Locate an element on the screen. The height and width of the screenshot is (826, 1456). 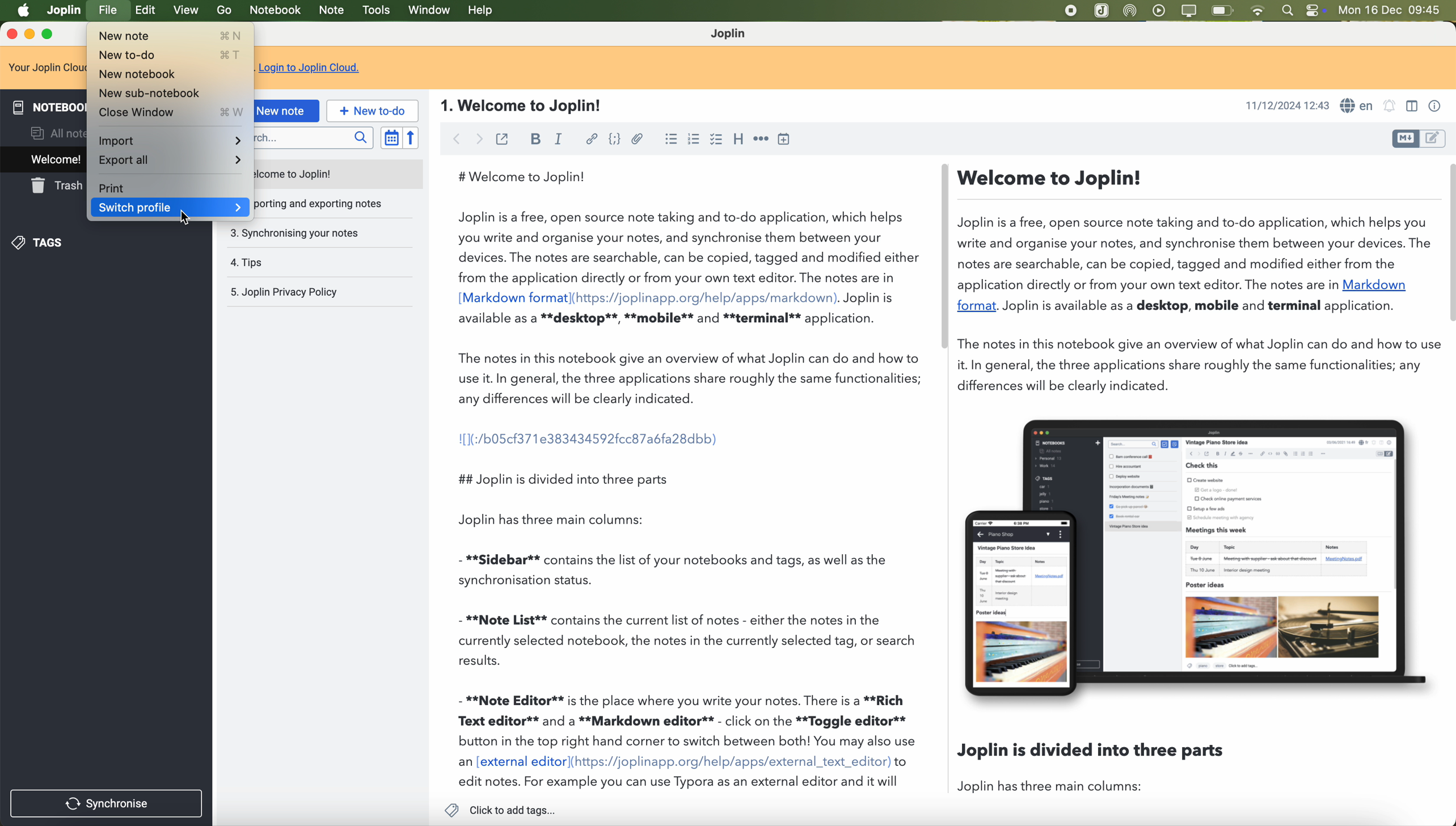
toggle editors layout is located at coordinates (1411, 107).